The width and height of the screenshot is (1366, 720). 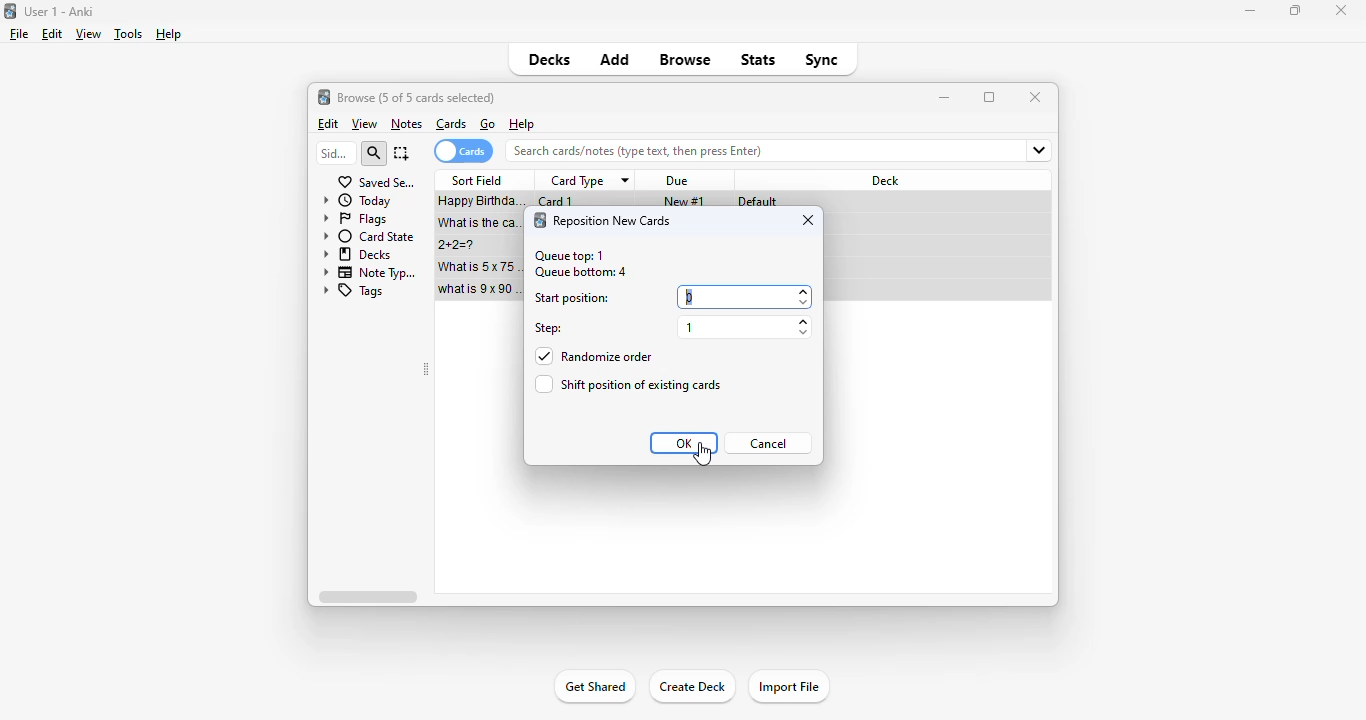 What do you see at coordinates (1249, 11) in the screenshot?
I see `minimize` at bounding box center [1249, 11].